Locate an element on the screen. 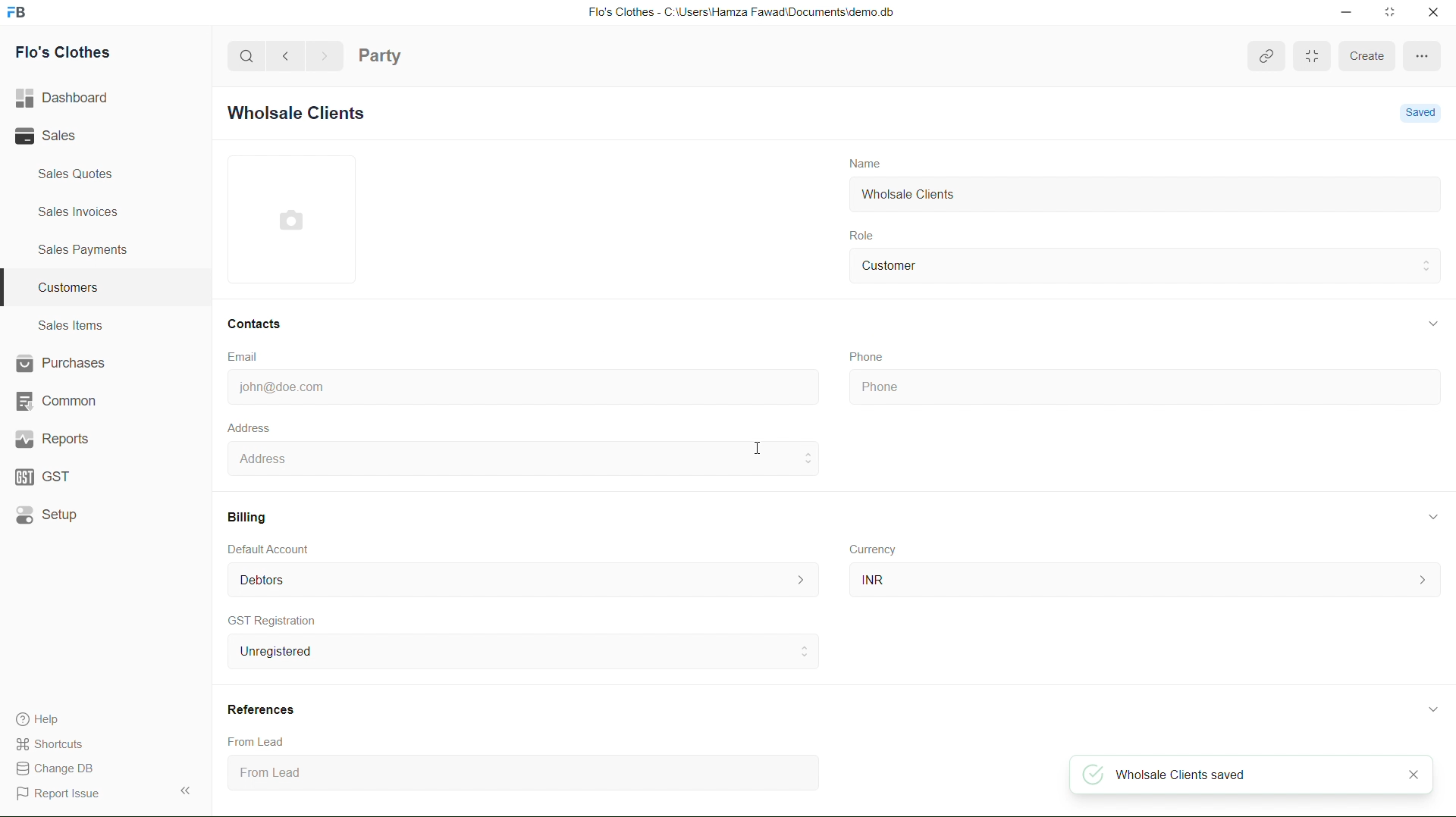  link is located at coordinates (1264, 60).